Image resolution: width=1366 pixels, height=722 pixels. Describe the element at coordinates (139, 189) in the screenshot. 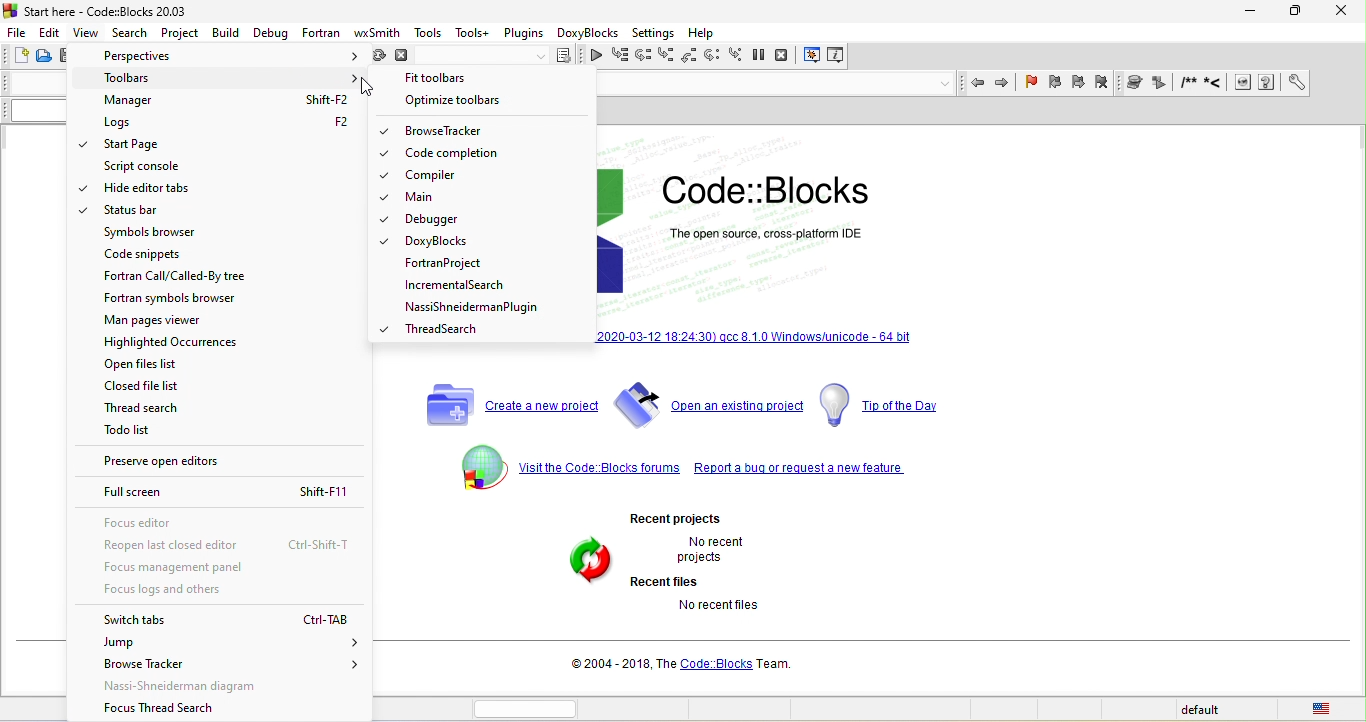

I see `hide editor tabs` at that location.